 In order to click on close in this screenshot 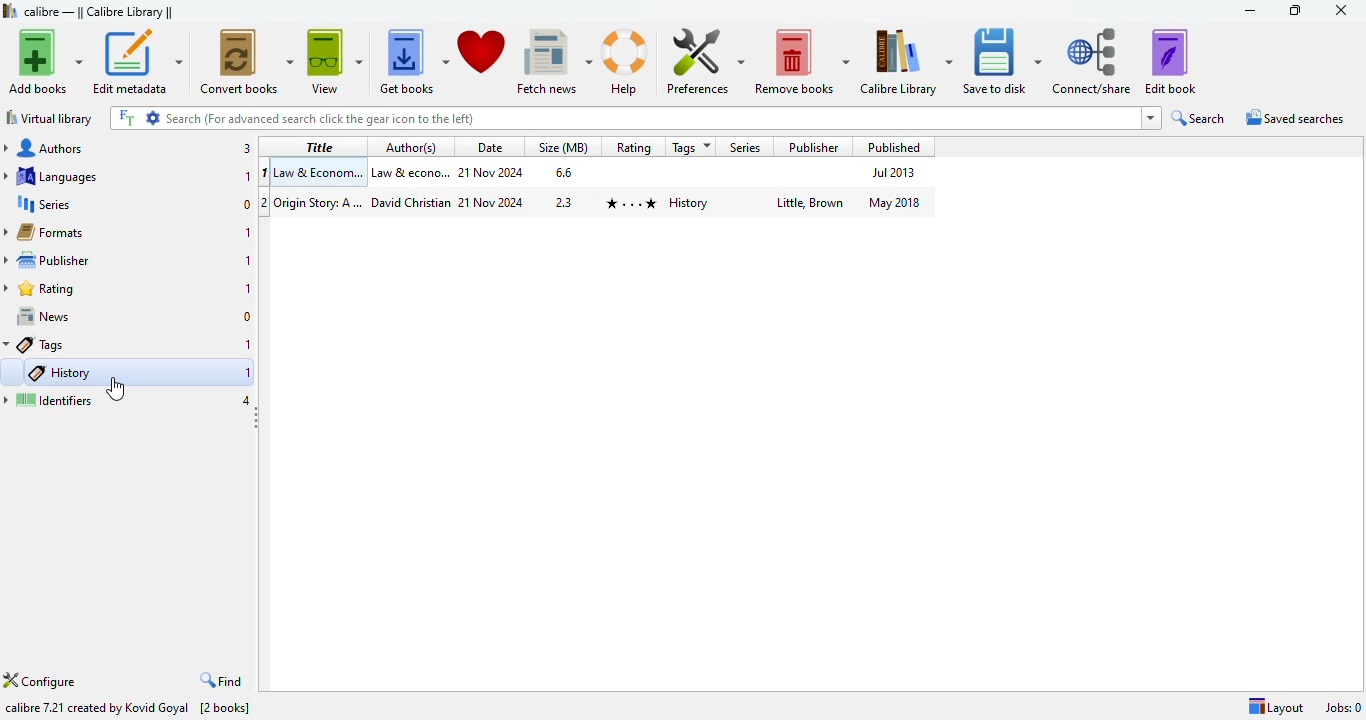, I will do `click(1340, 9)`.